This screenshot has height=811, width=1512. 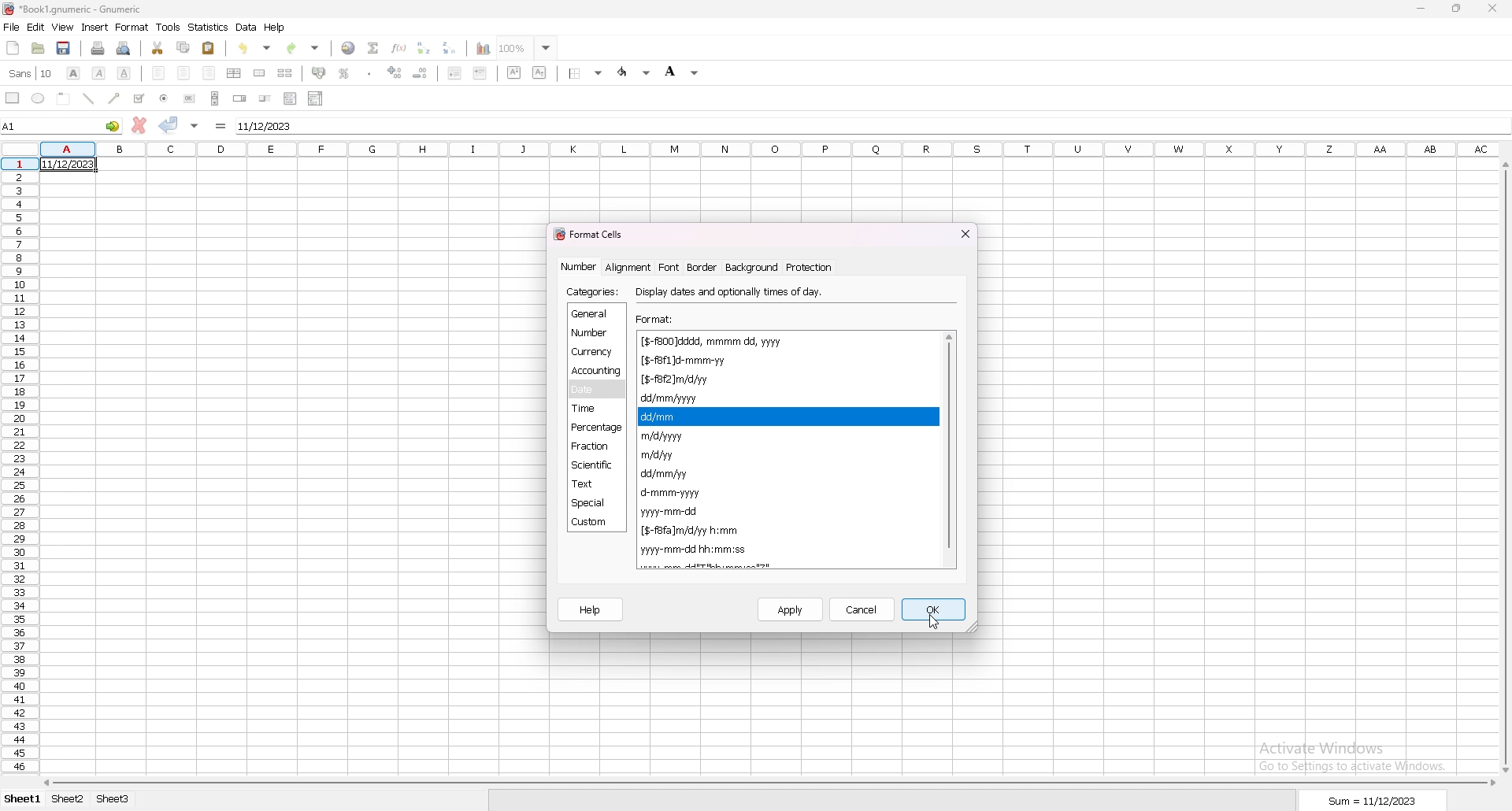 I want to click on tools, so click(x=168, y=28).